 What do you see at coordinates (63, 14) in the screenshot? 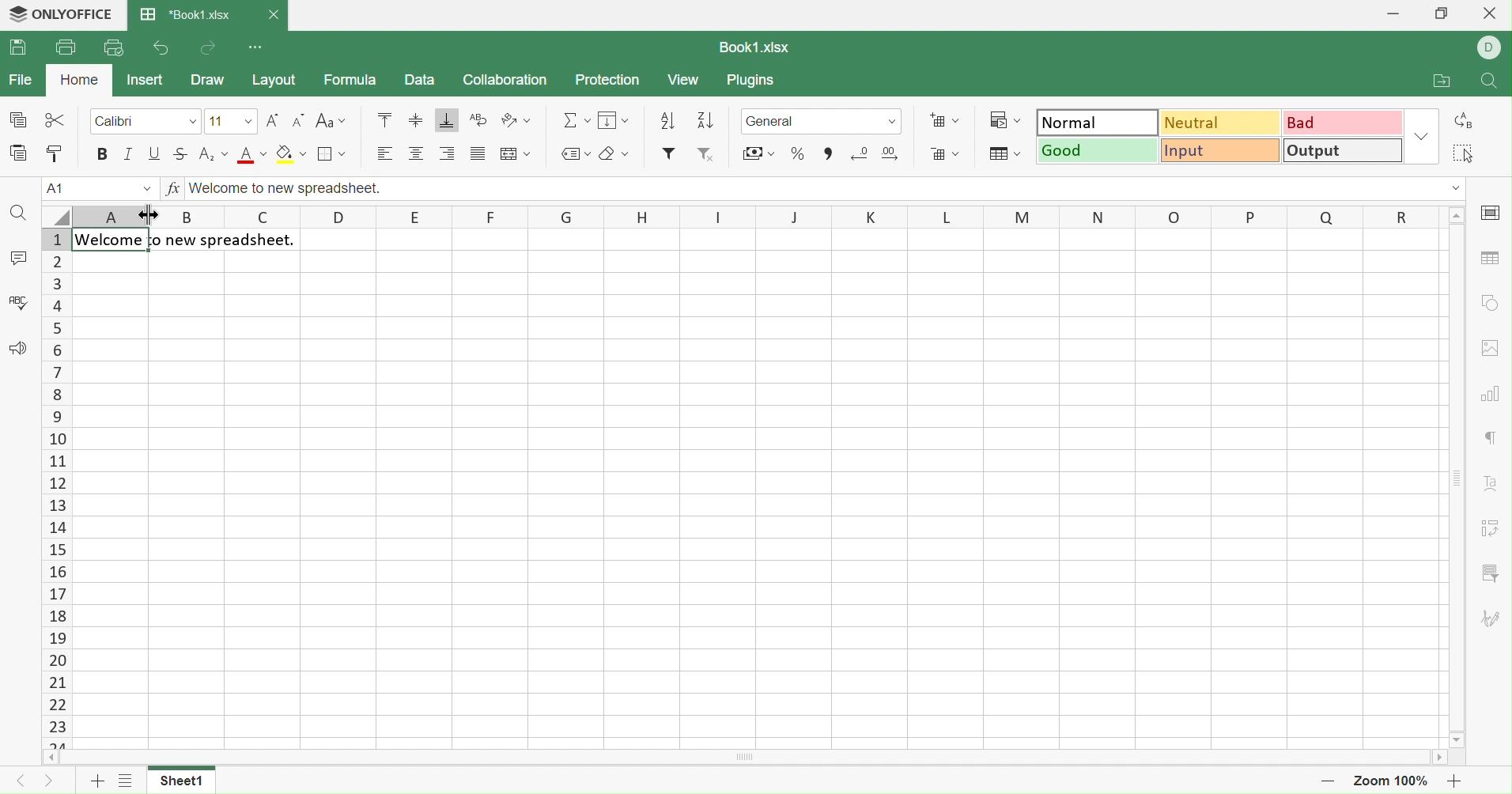
I see `ONLYOFFICE` at bounding box center [63, 14].